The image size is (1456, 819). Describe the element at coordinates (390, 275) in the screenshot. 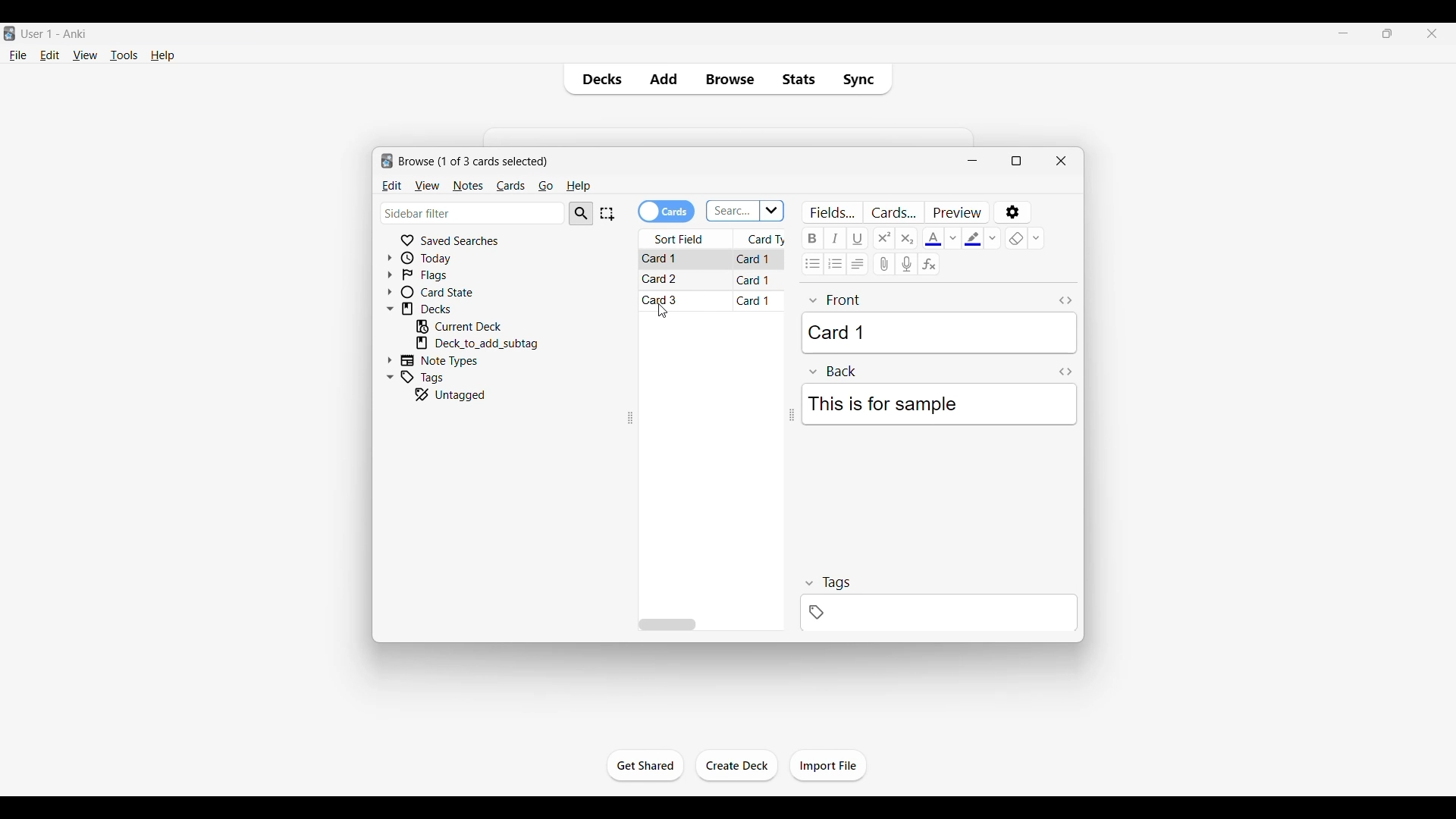

I see `Click to expand flags` at that location.